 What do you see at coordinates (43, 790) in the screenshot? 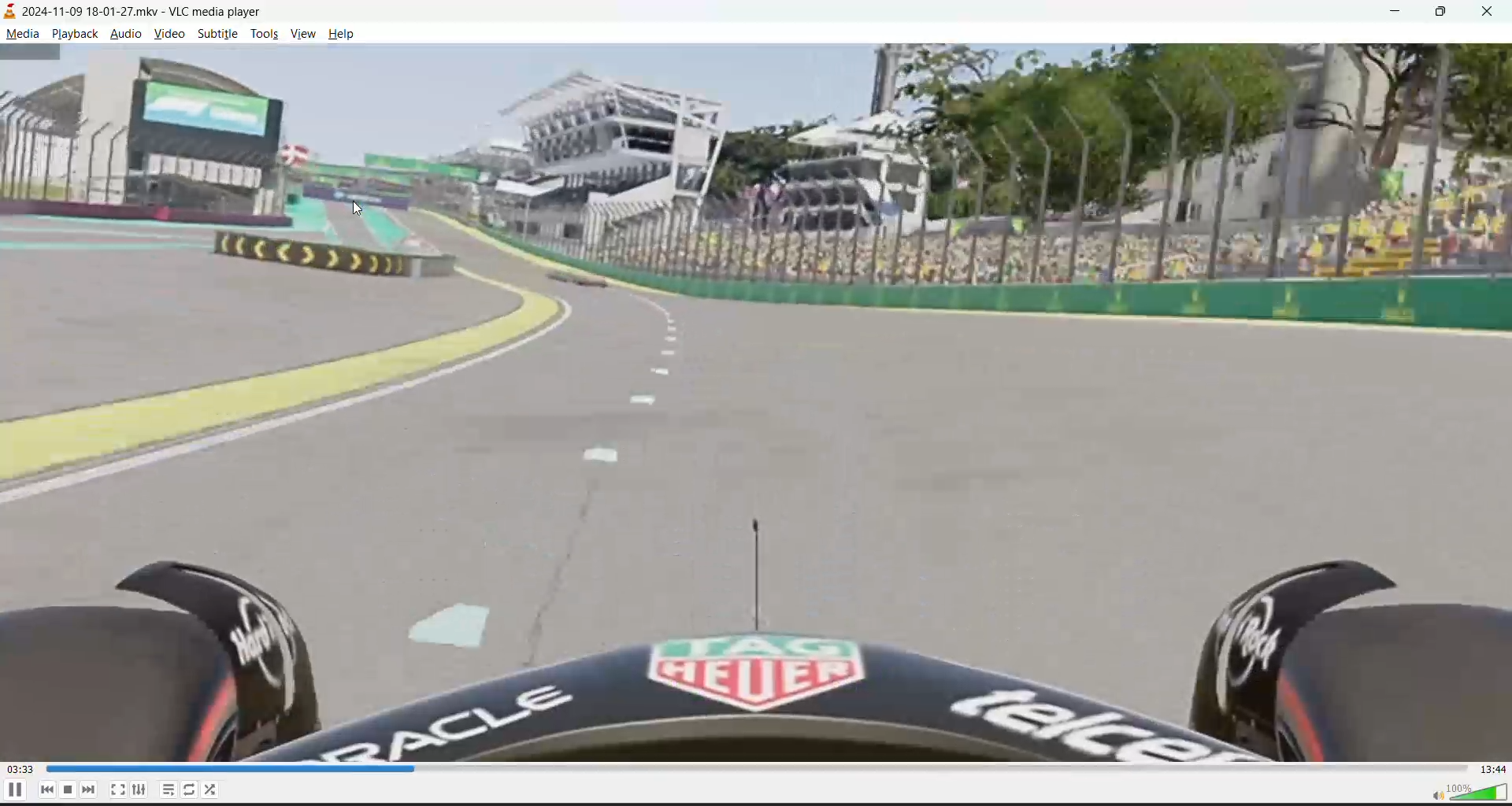
I see `previous` at bounding box center [43, 790].